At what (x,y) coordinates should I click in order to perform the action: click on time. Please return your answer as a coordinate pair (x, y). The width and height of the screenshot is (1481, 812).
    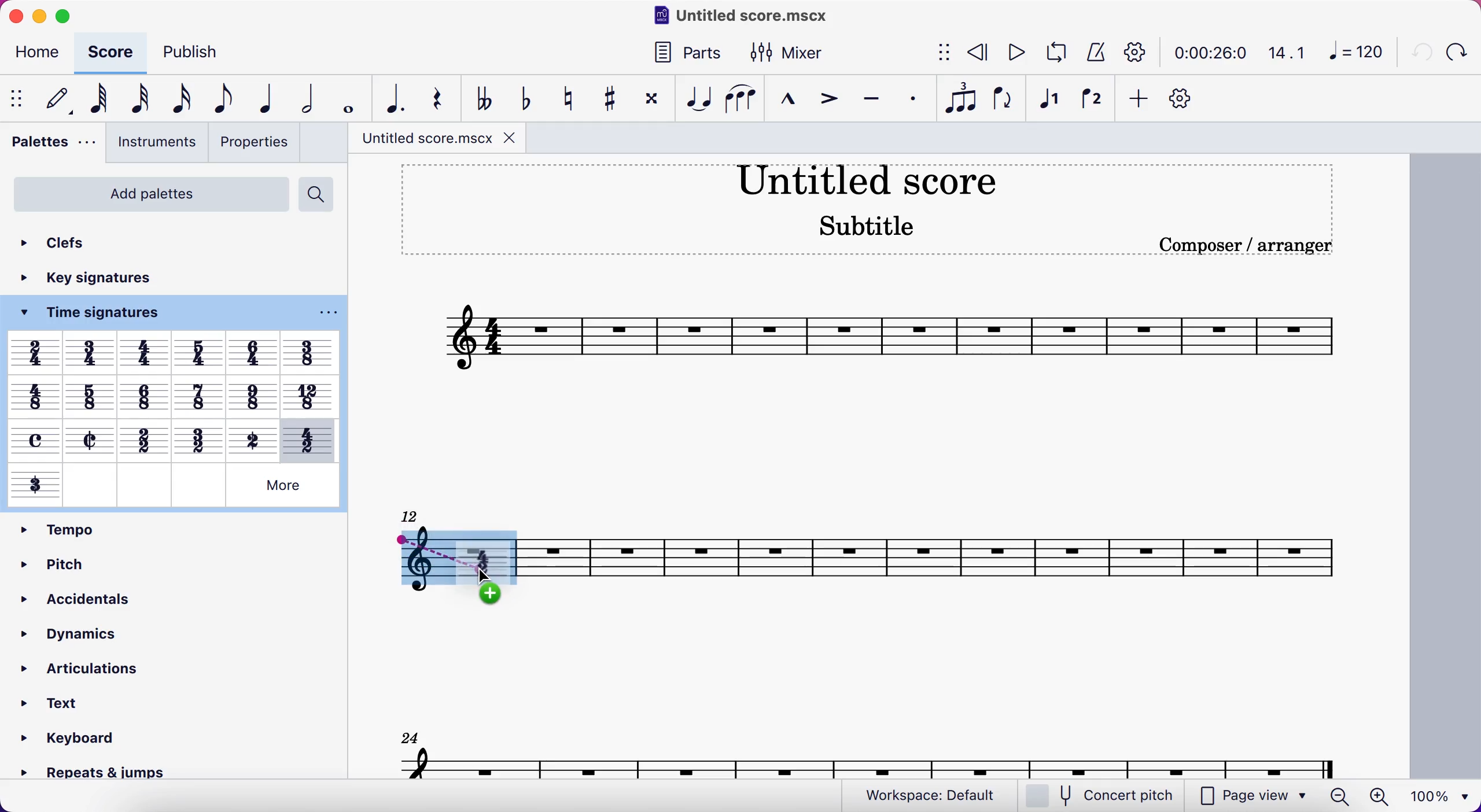
    Looking at the image, I should click on (1204, 53).